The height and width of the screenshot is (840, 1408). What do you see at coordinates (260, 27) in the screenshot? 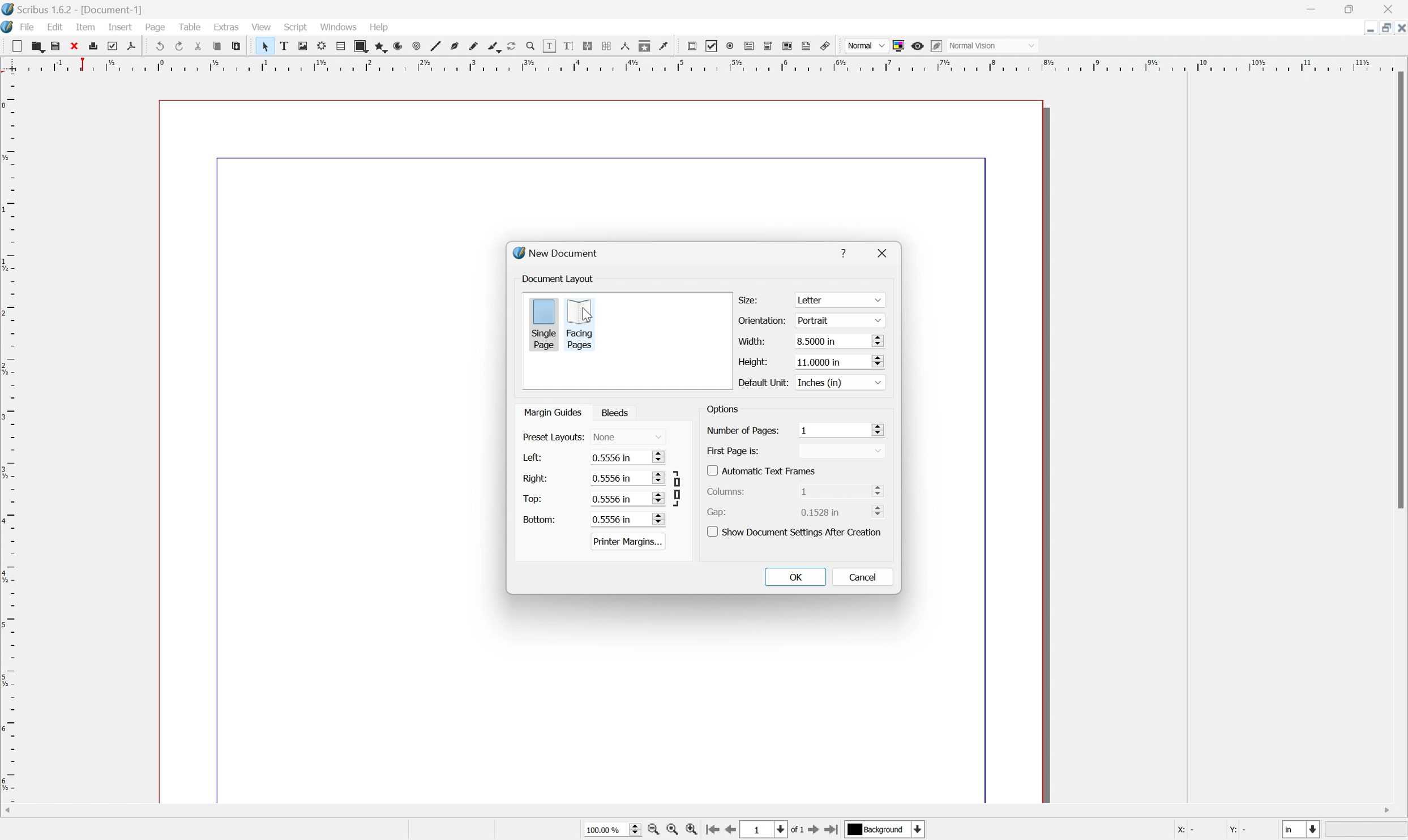
I see `View` at bounding box center [260, 27].